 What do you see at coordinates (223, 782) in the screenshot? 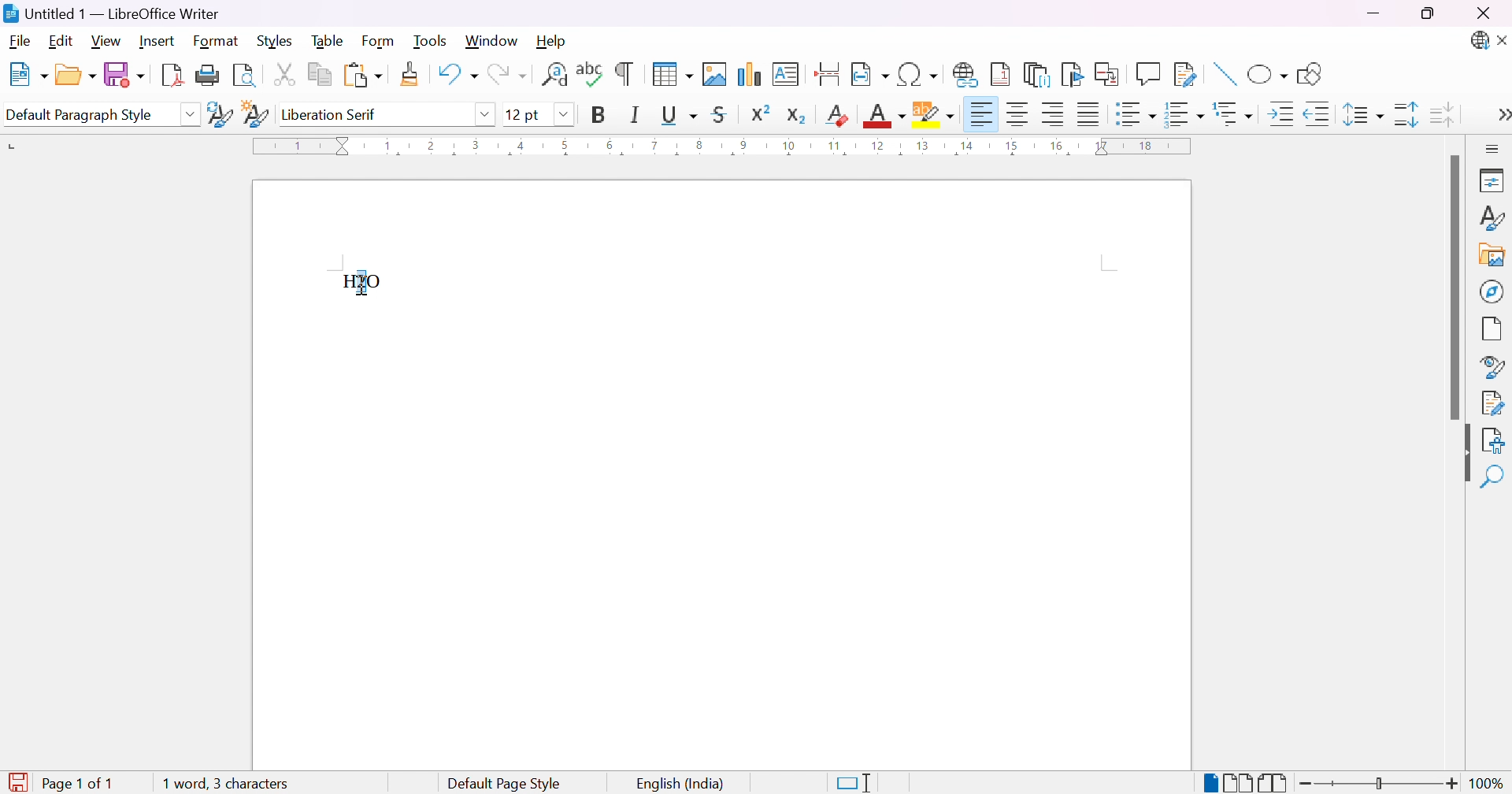
I see `1 word, 3 characters` at bounding box center [223, 782].